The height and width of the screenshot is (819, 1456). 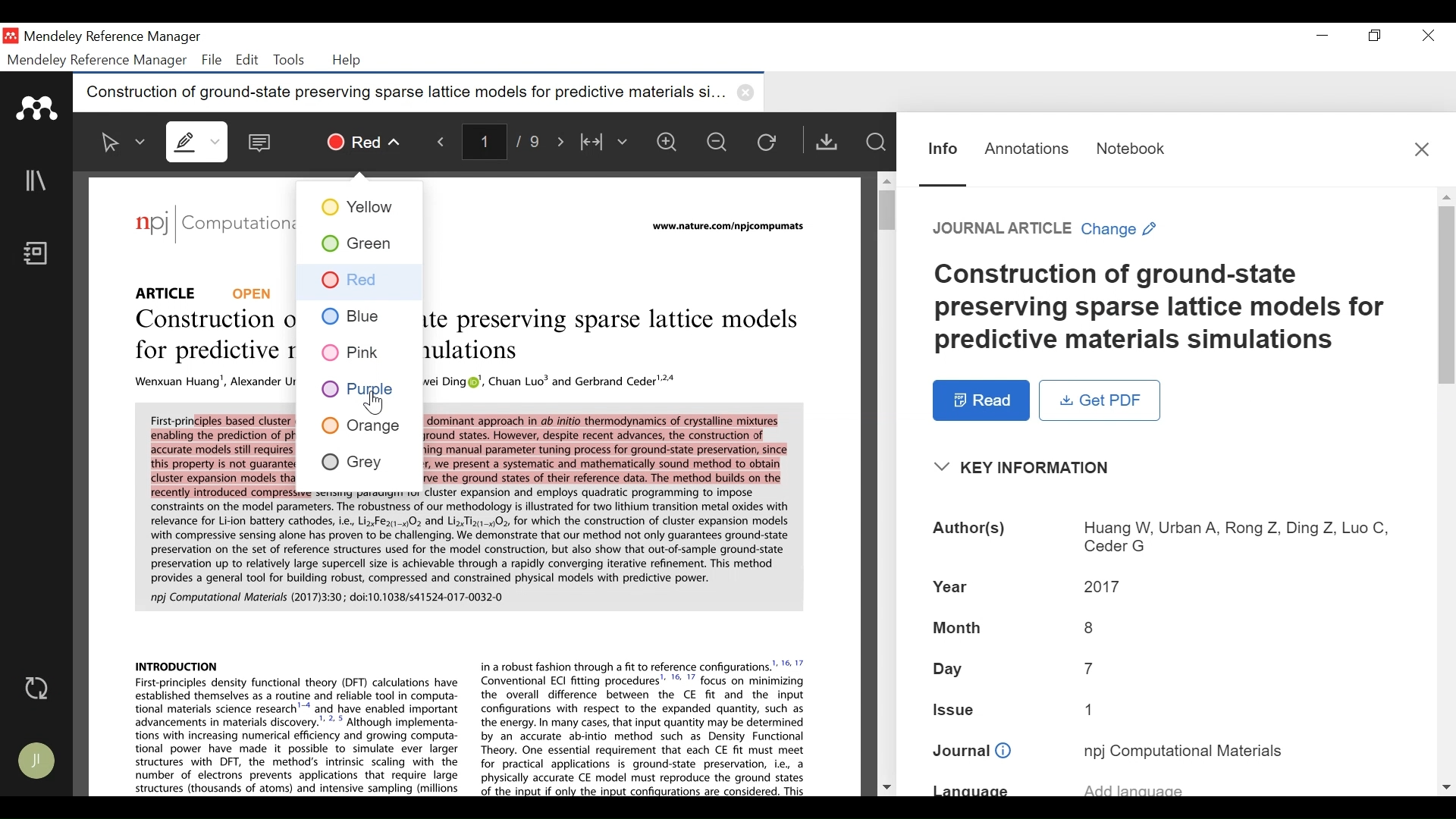 What do you see at coordinates (503, 143) in the screenshot?
I see `1/9` at bounding box center [503, 143].